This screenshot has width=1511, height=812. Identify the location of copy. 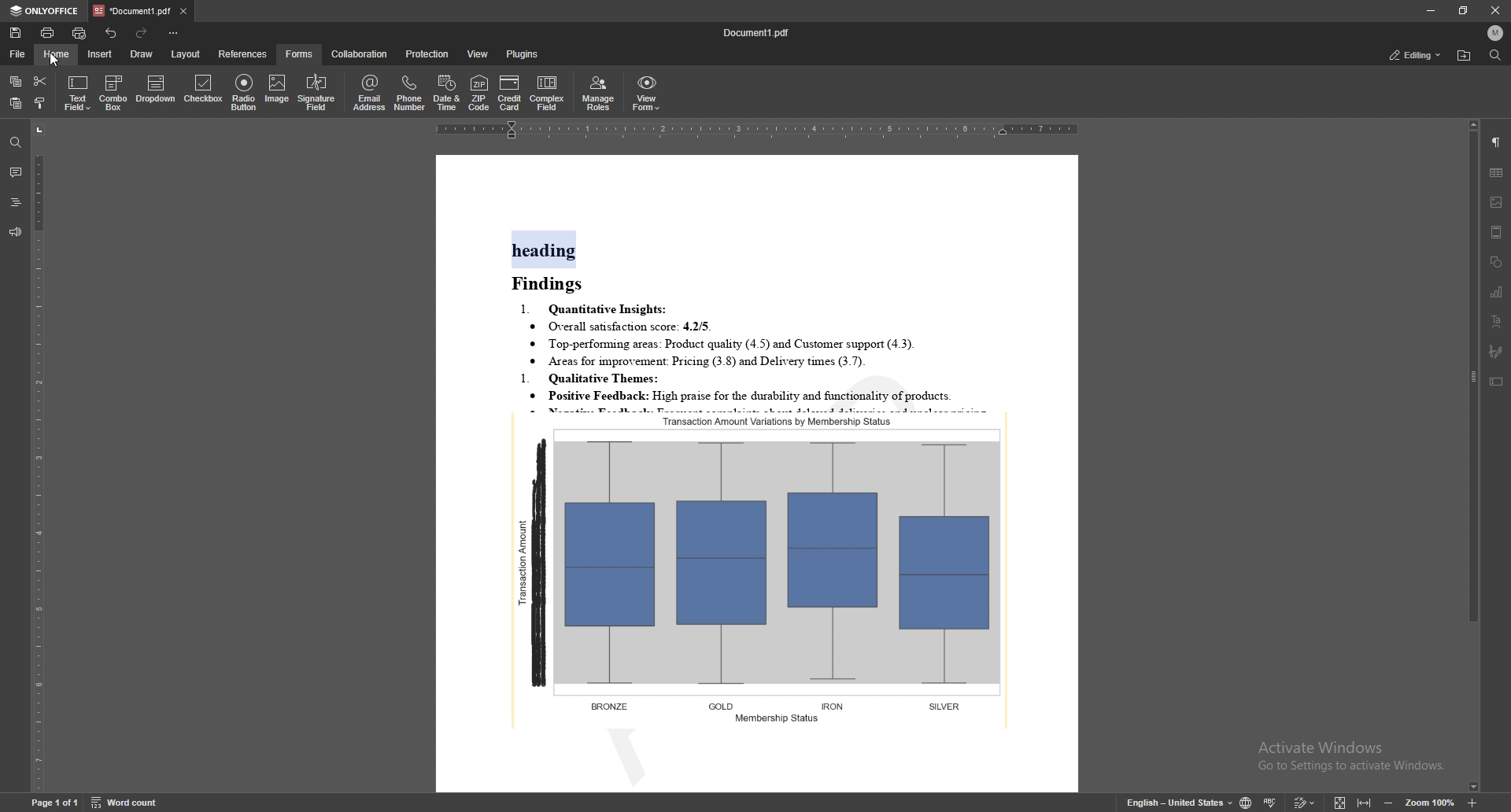
(16, 82).